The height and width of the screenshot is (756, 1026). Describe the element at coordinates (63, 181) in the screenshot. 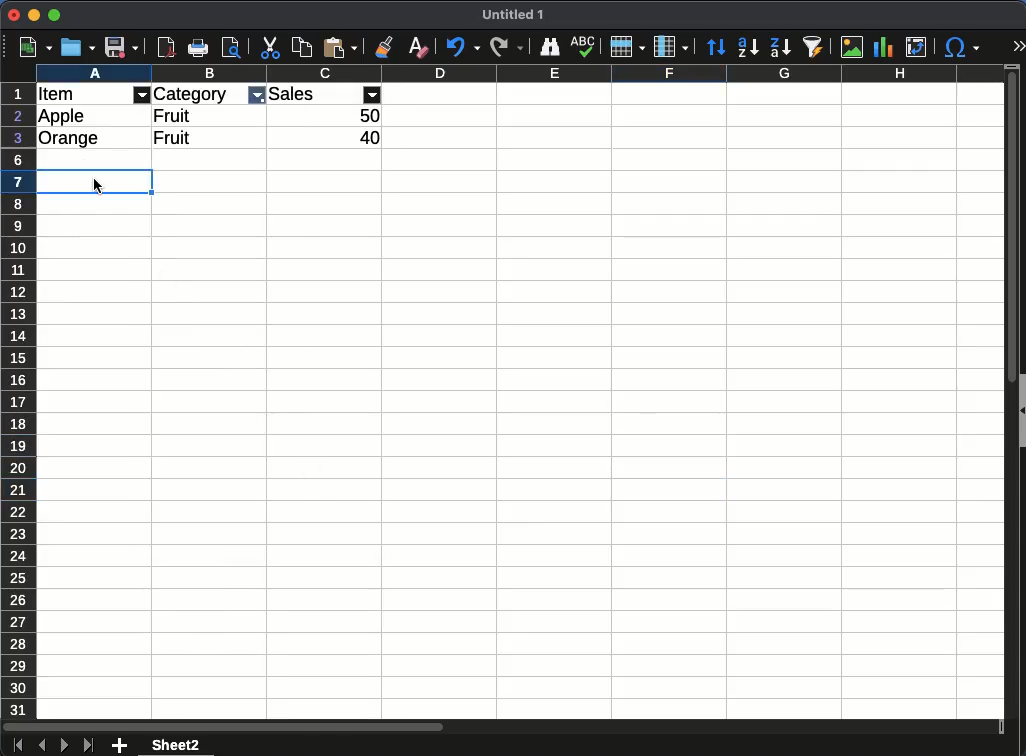

I see `selected cells` at that location.